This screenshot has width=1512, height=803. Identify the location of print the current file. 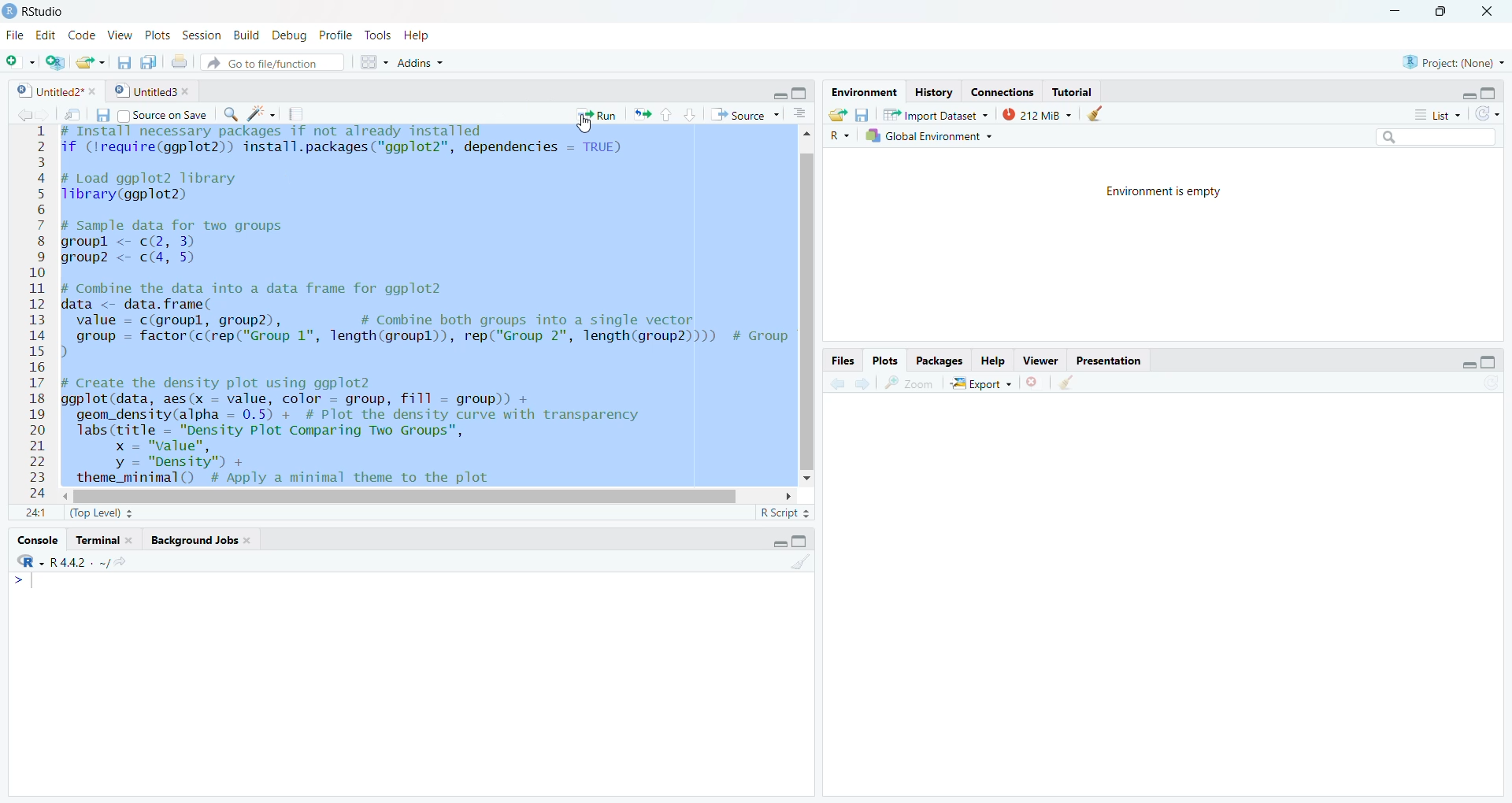
(182, 63).